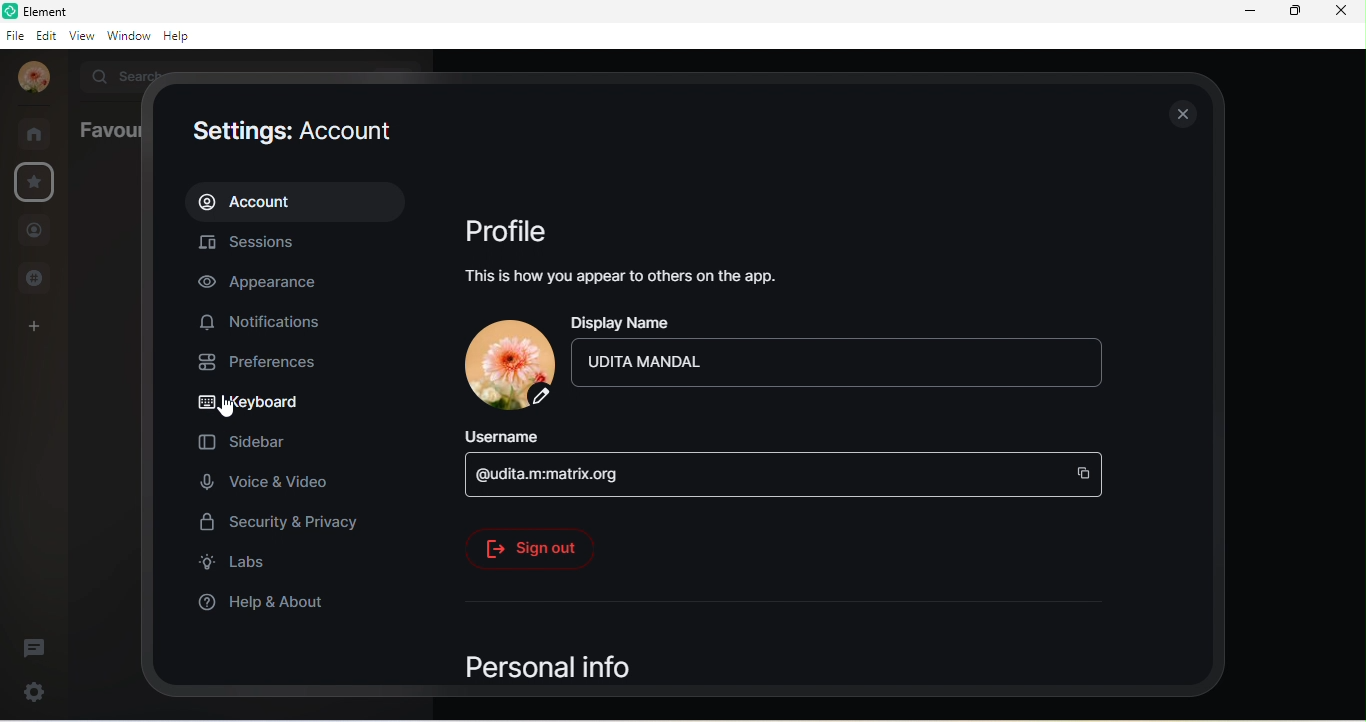 The image size is (1366, 722). What do you see at coordinates (292, 202) in the screenshot?
I see `account` at bounding box center [292, 202].